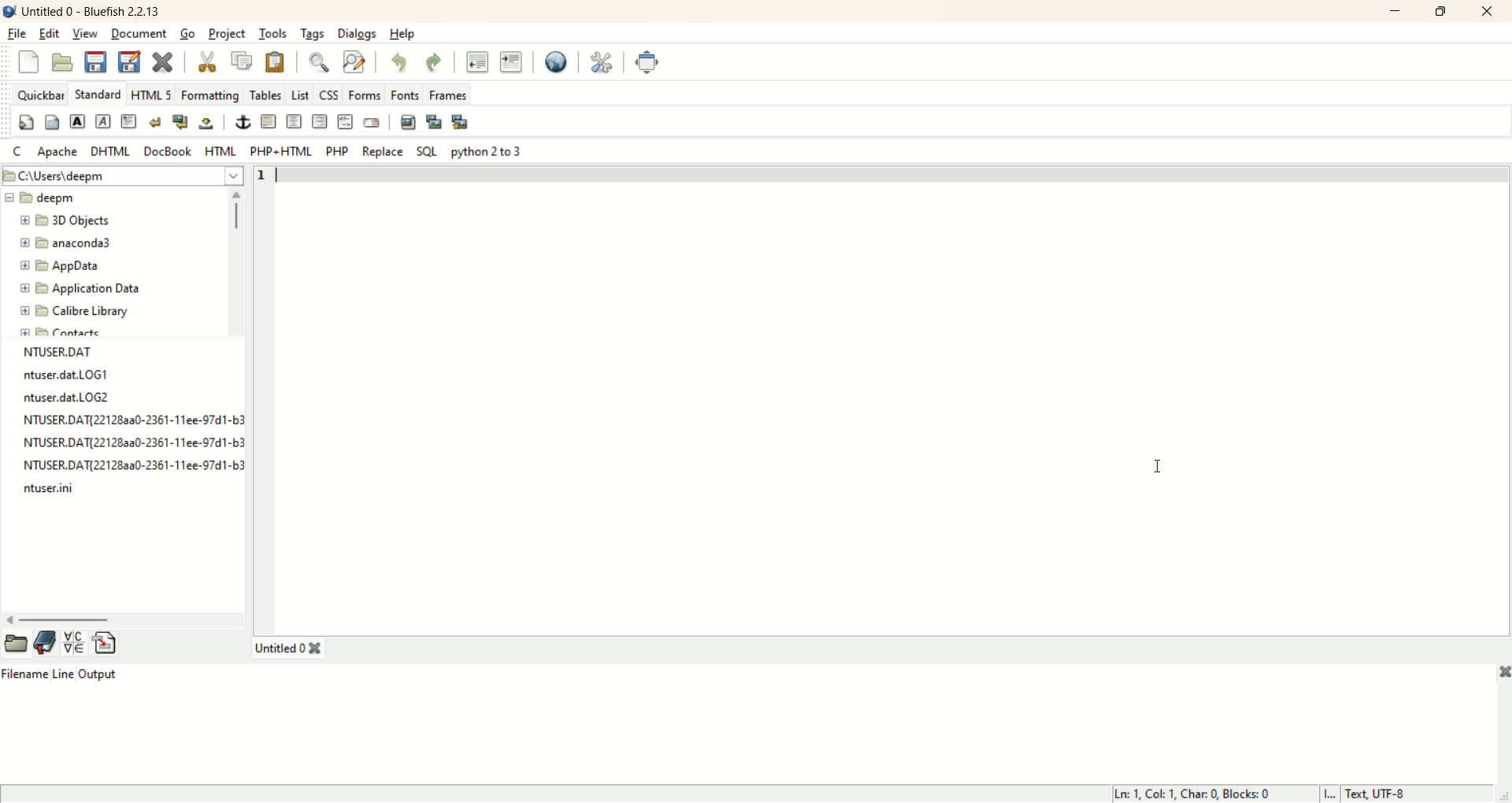 The height and width of the screenshot is (803, 1512). I want to click on 3D objects, so click(65, 221).